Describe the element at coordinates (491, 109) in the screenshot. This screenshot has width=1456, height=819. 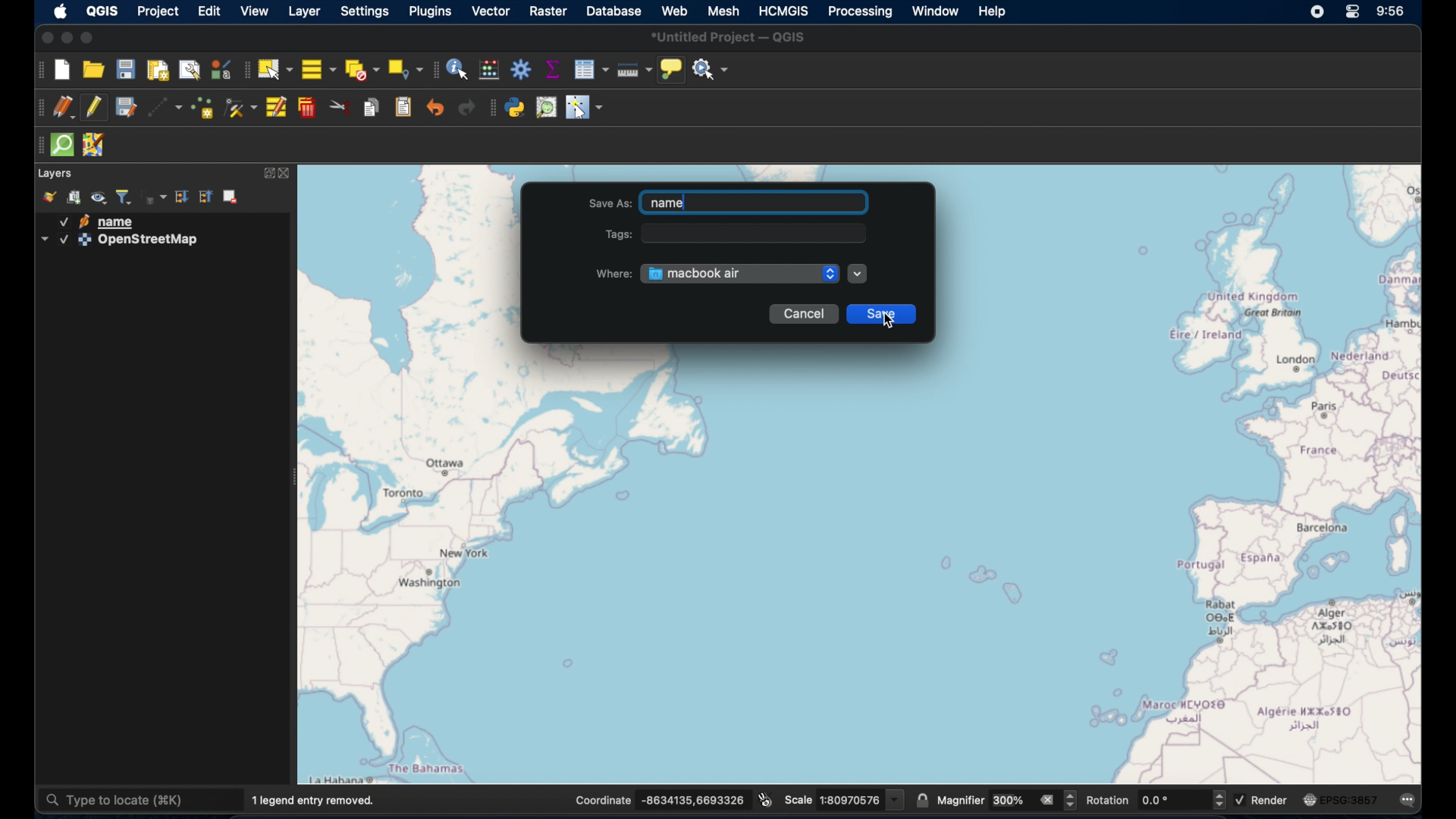
I see `plugin toolbar` at that location.